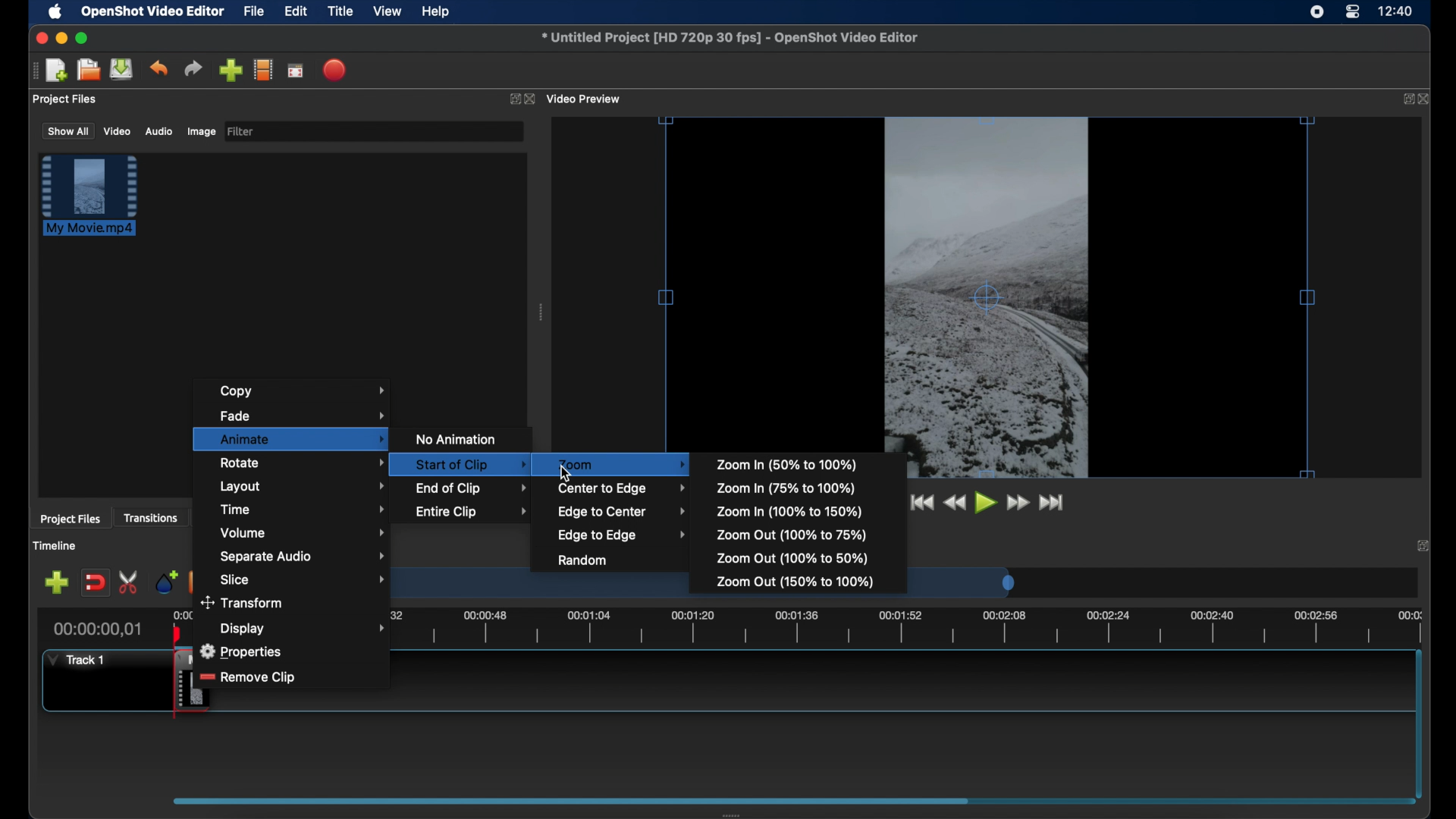 The image size is (1456, 819). Describe the element at coordinates (57, 71) in the screenshot. I see `new project` at that location.